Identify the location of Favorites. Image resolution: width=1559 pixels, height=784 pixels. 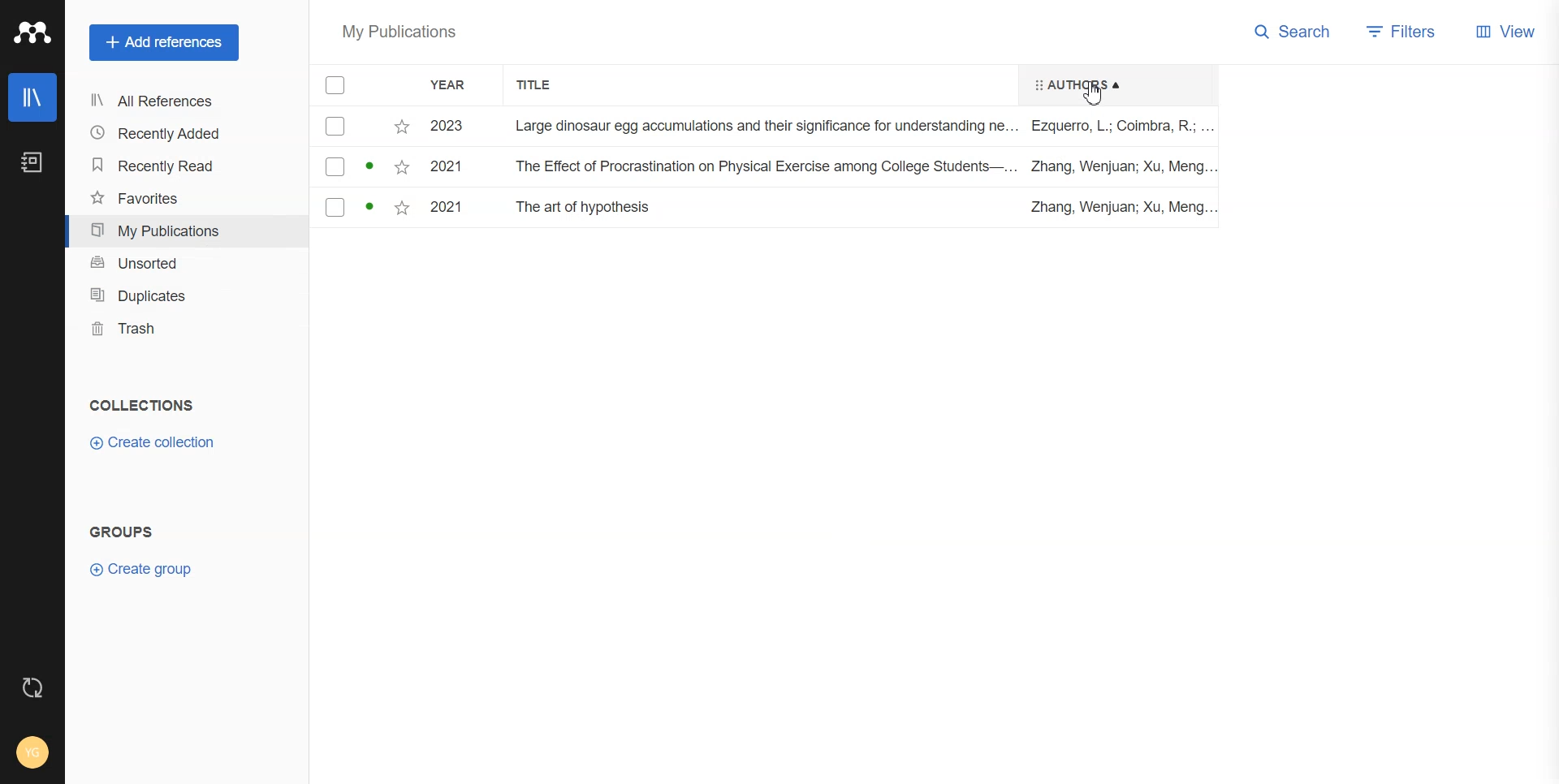
(404, 125).